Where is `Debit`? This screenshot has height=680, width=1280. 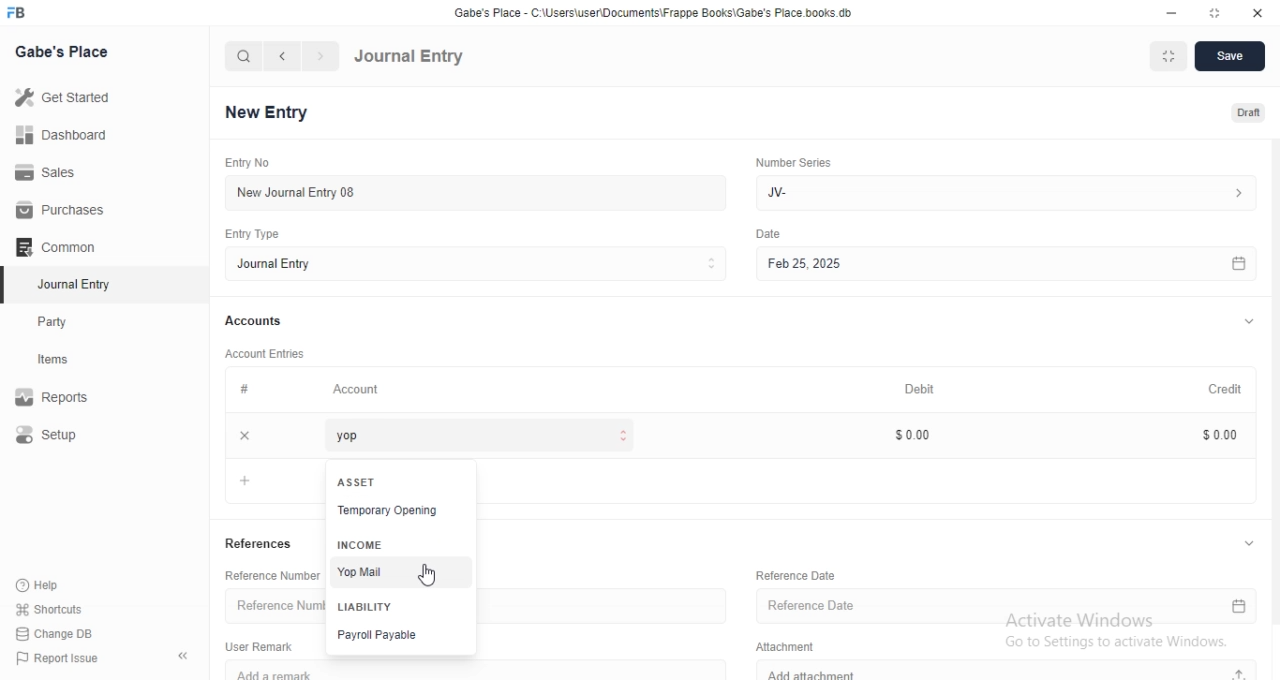
Debit is located at coordinates (919, 388).